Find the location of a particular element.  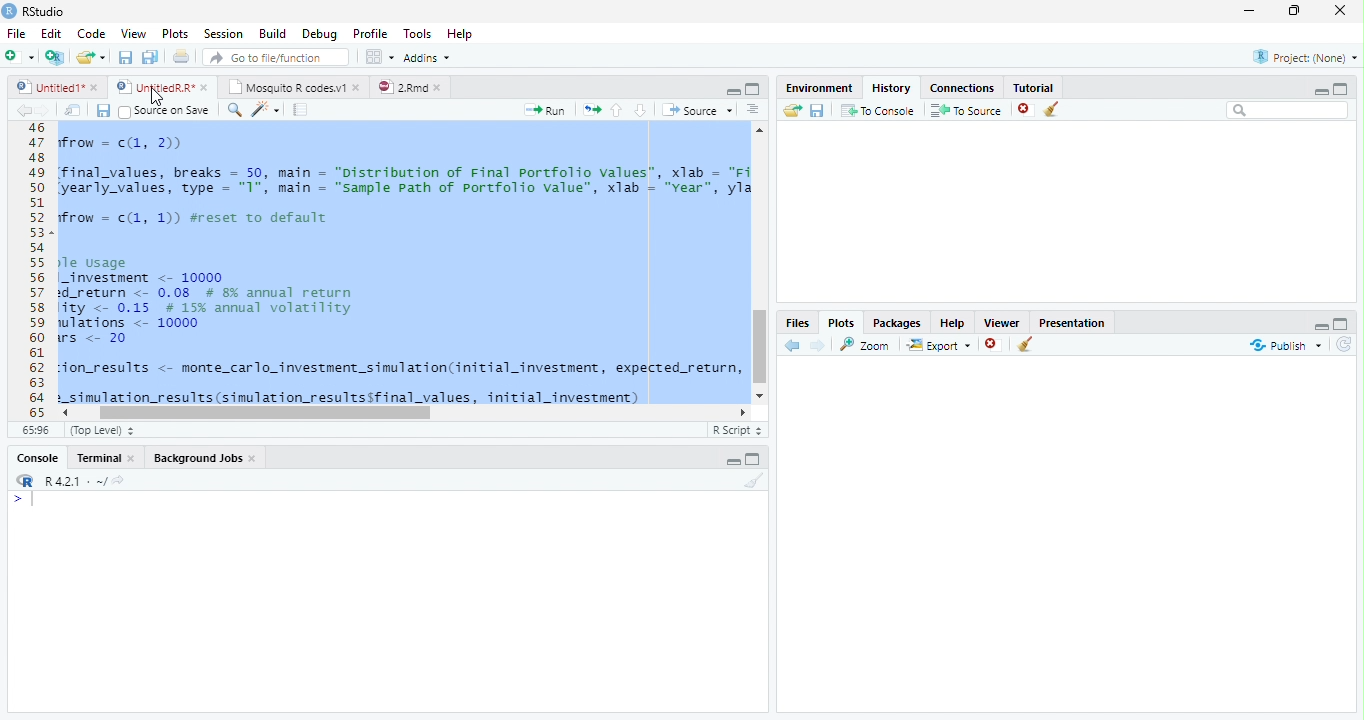

Hide is located at coordinates (1319, 324).